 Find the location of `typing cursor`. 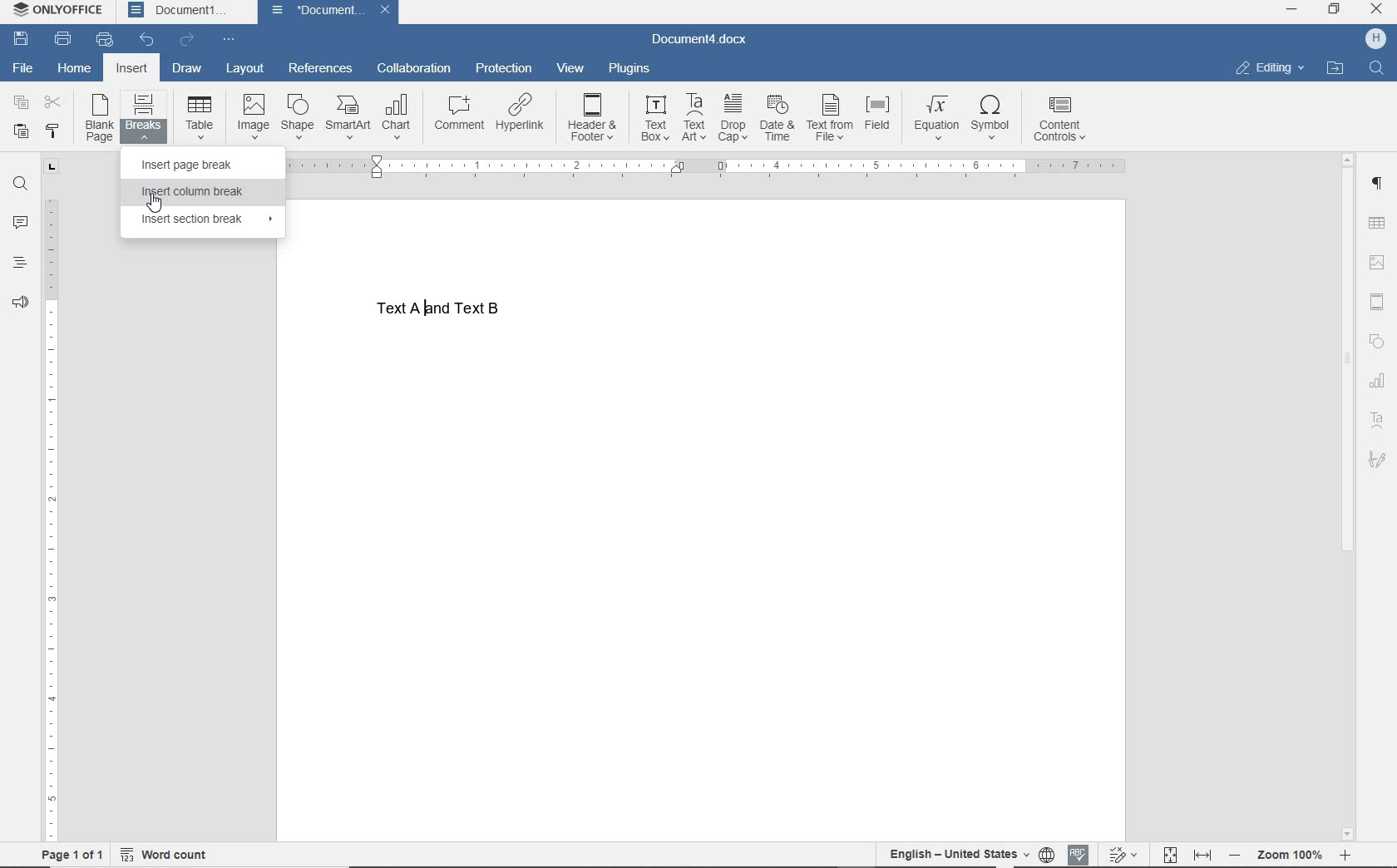

typing cursor is located at coordinates (425, 313).